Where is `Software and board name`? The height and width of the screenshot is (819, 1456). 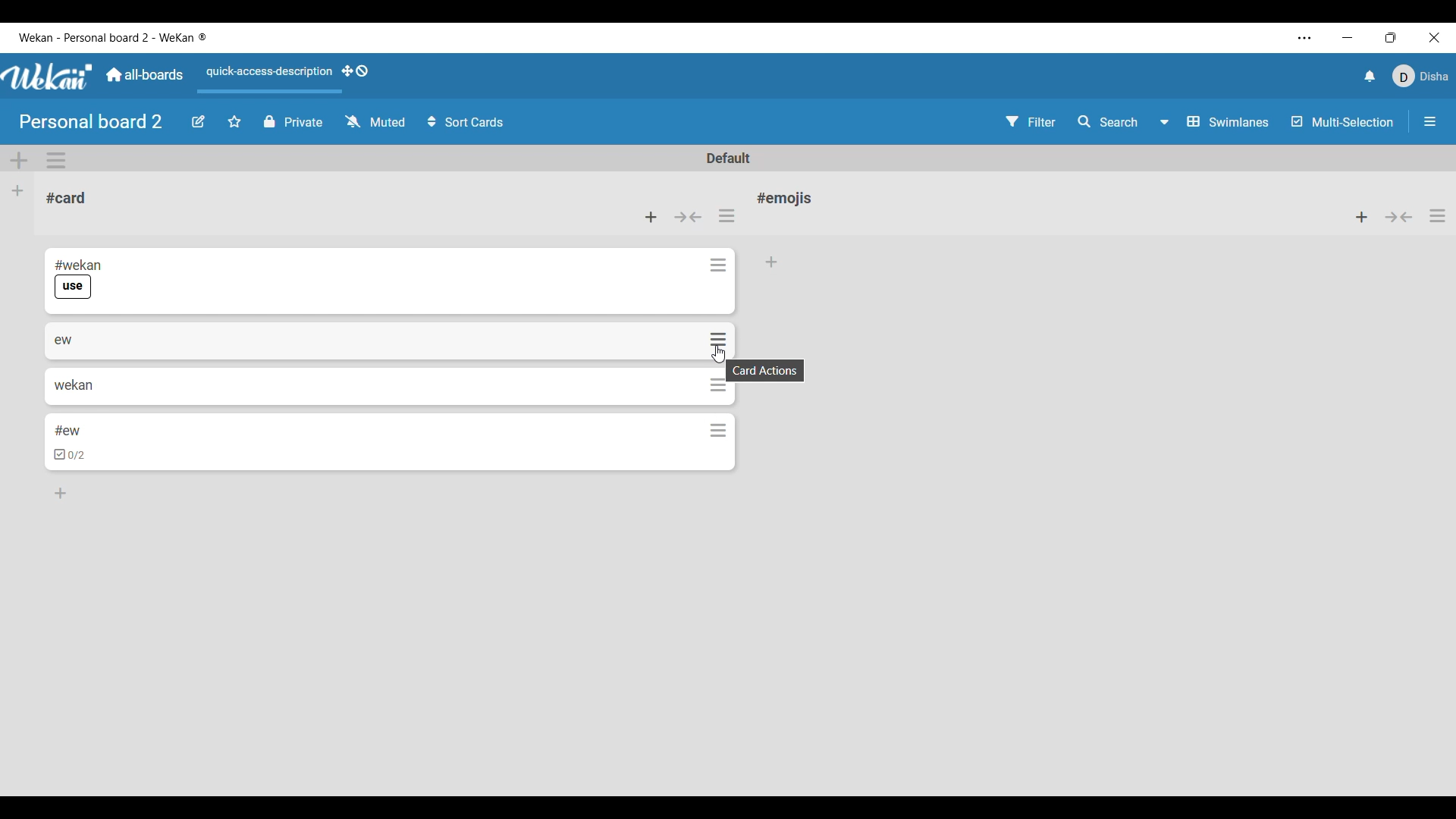 Software and board name is located at coordinates (111, 37).